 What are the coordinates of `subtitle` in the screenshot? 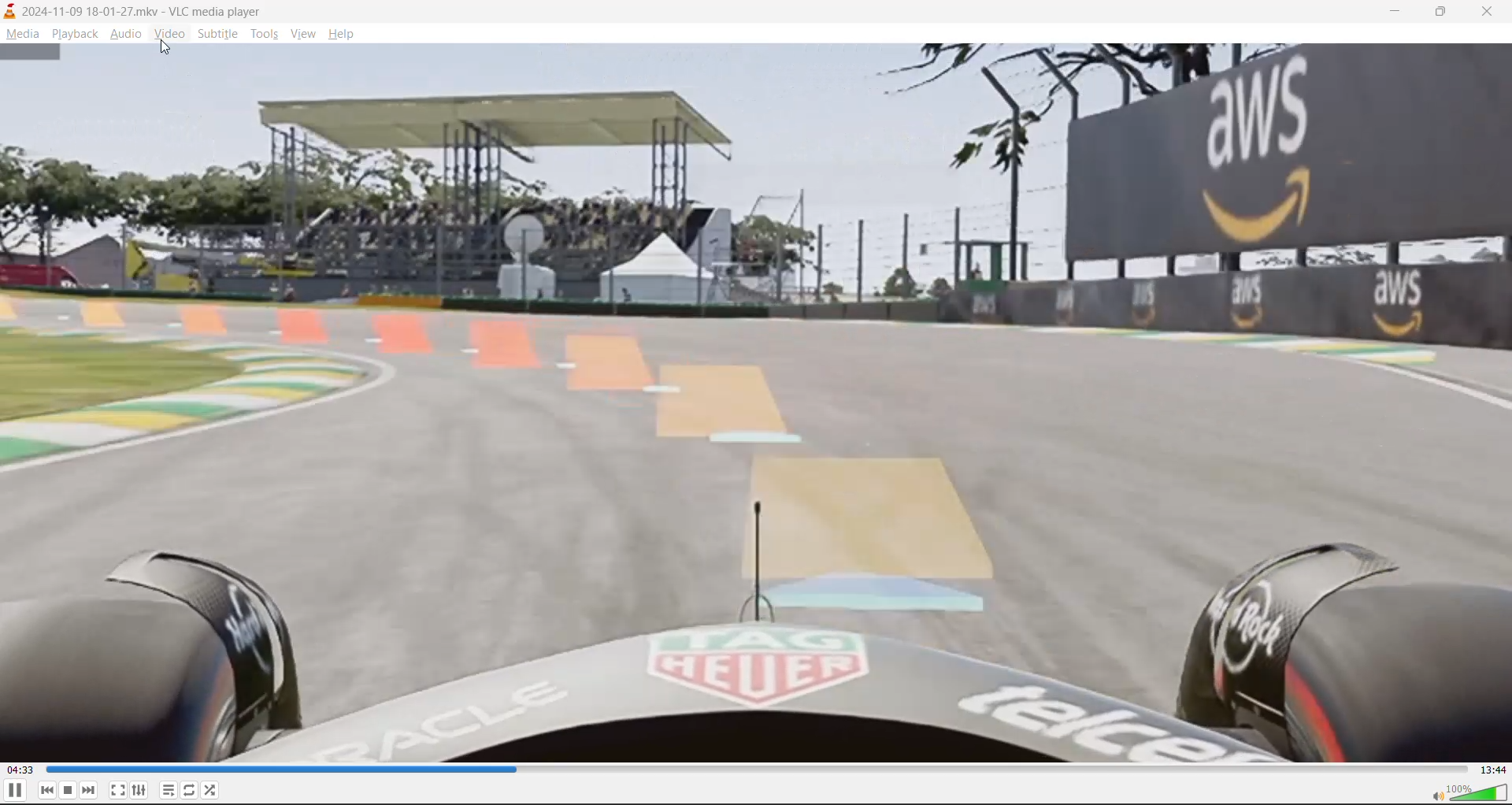 It's located at (218, 33).